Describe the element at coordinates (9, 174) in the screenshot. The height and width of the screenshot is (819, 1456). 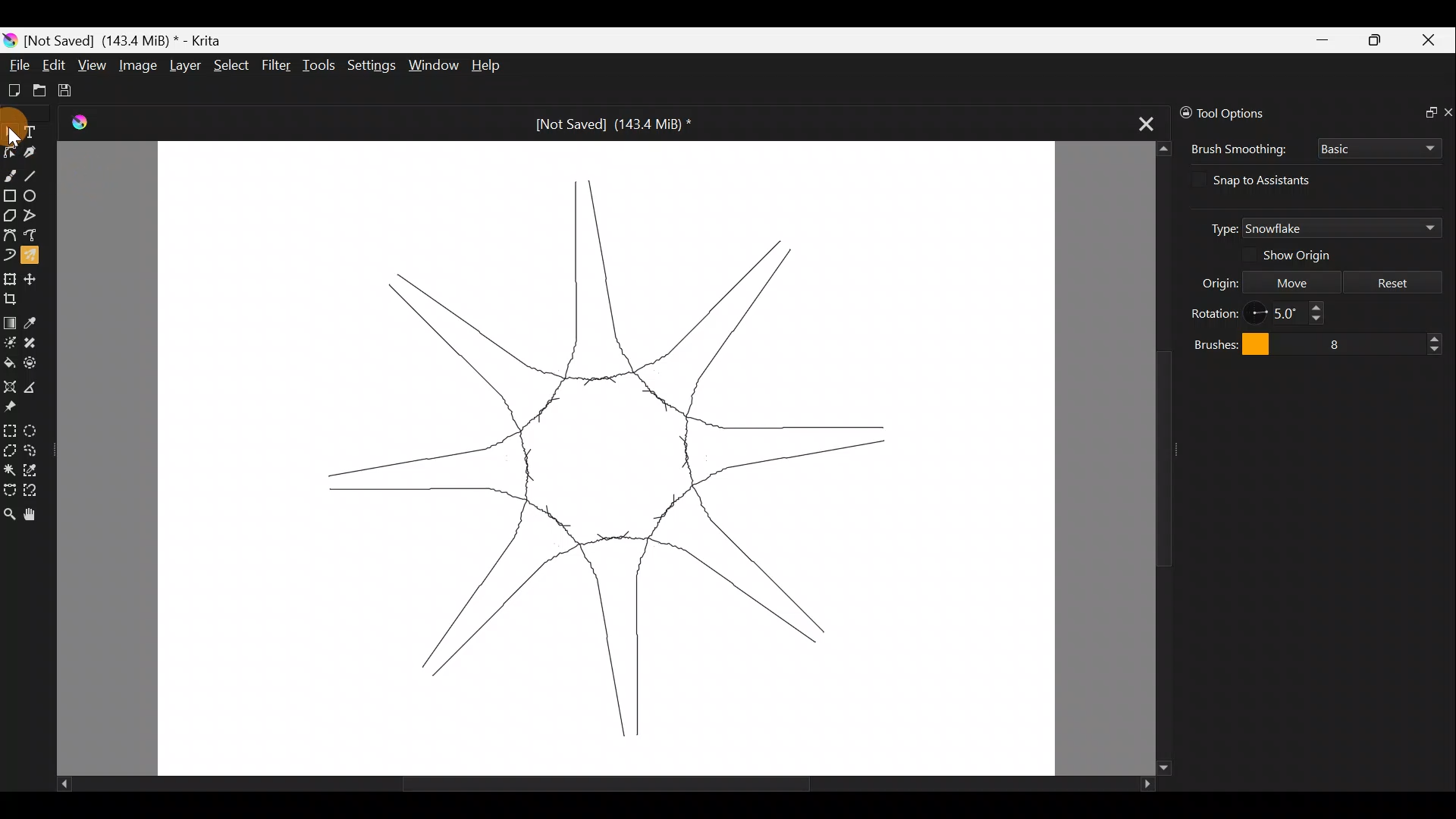
I see `Freehand brush tool` at that location.